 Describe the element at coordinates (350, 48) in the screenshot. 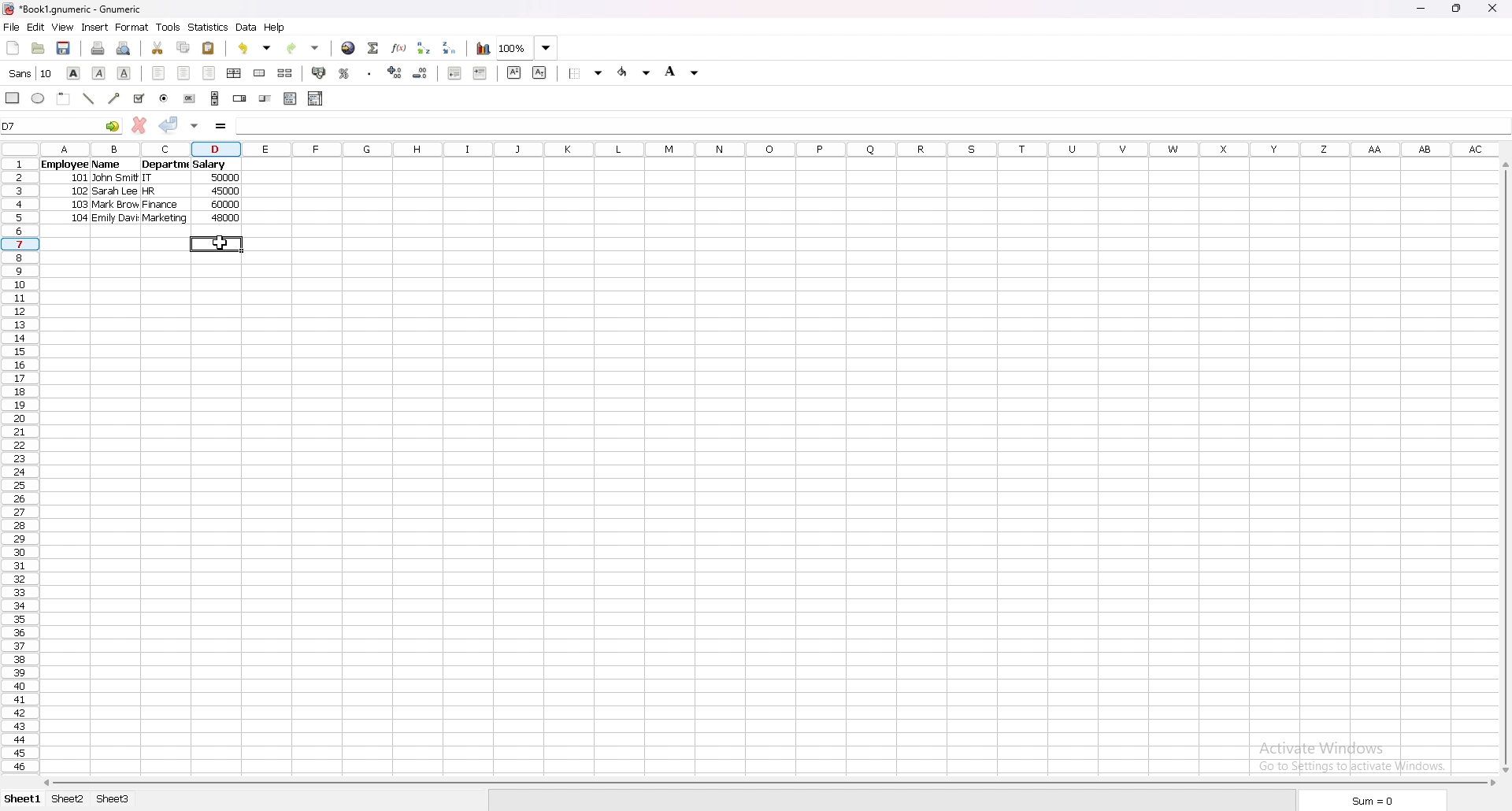

I see `hyperlink` at that location.